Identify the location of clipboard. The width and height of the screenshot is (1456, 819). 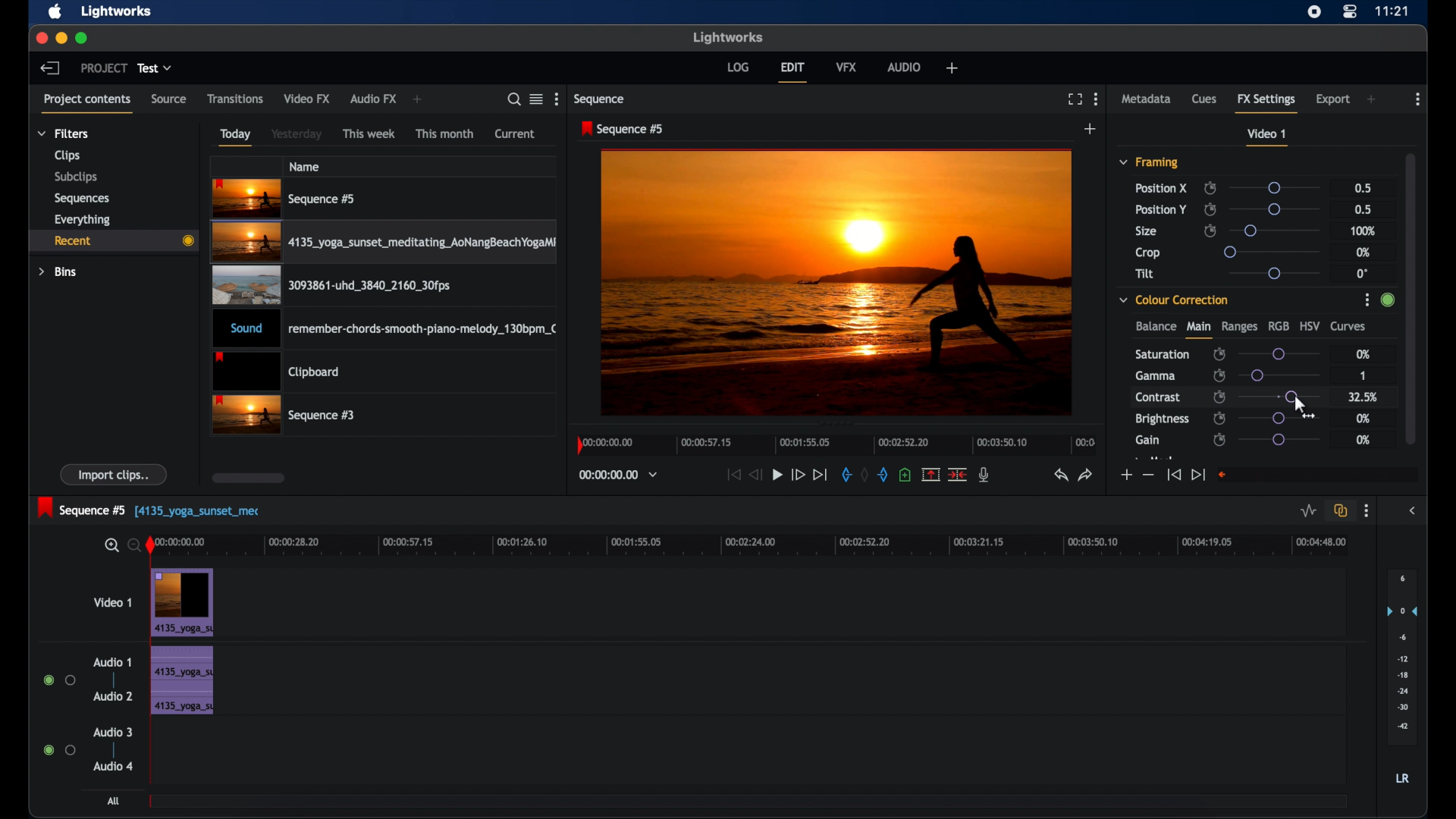
(276, 372).